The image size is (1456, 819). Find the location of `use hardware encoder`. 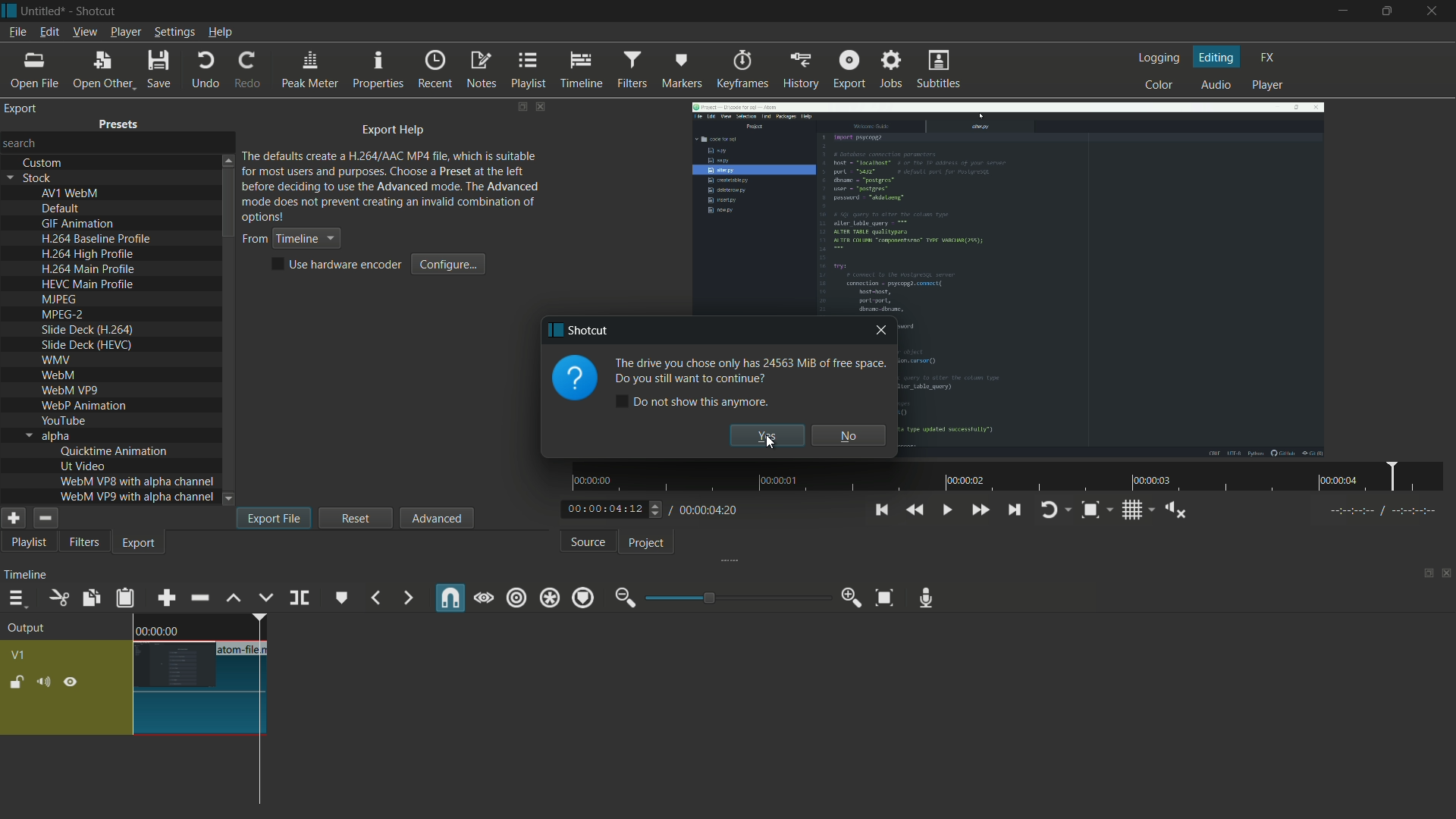

use hardware encoder is located at coordinates (339, 265).